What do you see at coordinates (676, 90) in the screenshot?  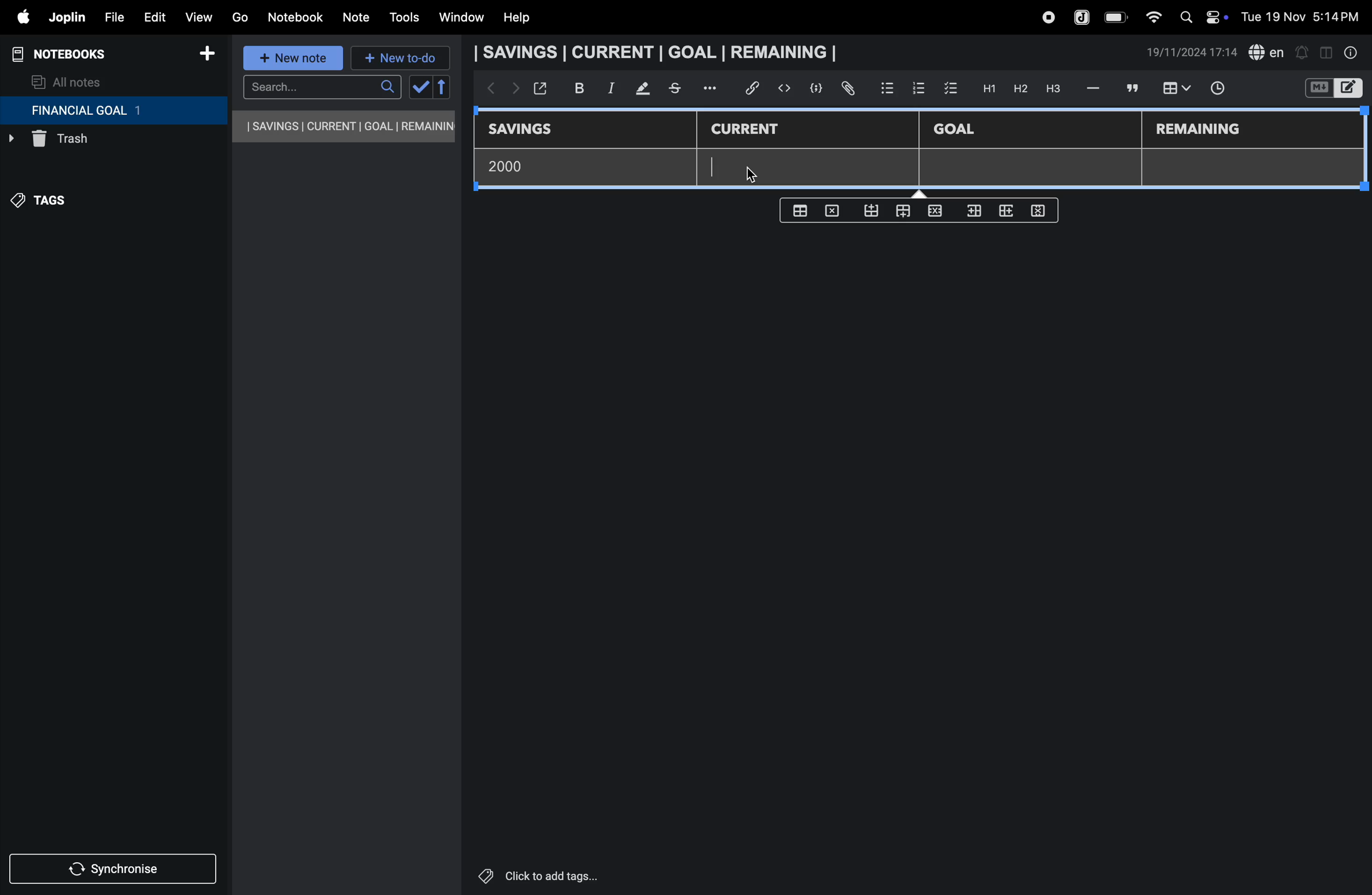 I see `stketchbook` at bounding box center [676, 90].